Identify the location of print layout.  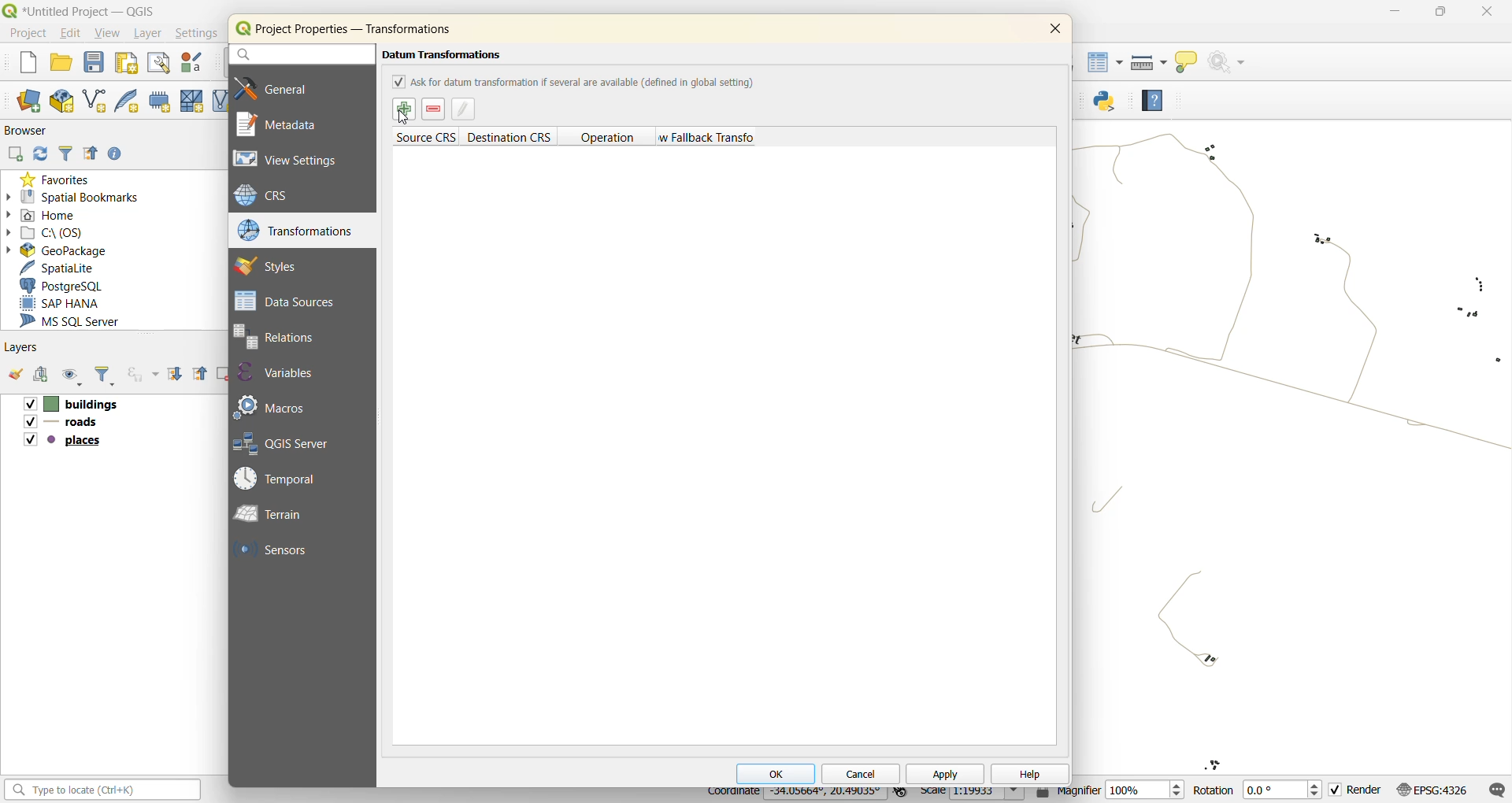
(128, 62).